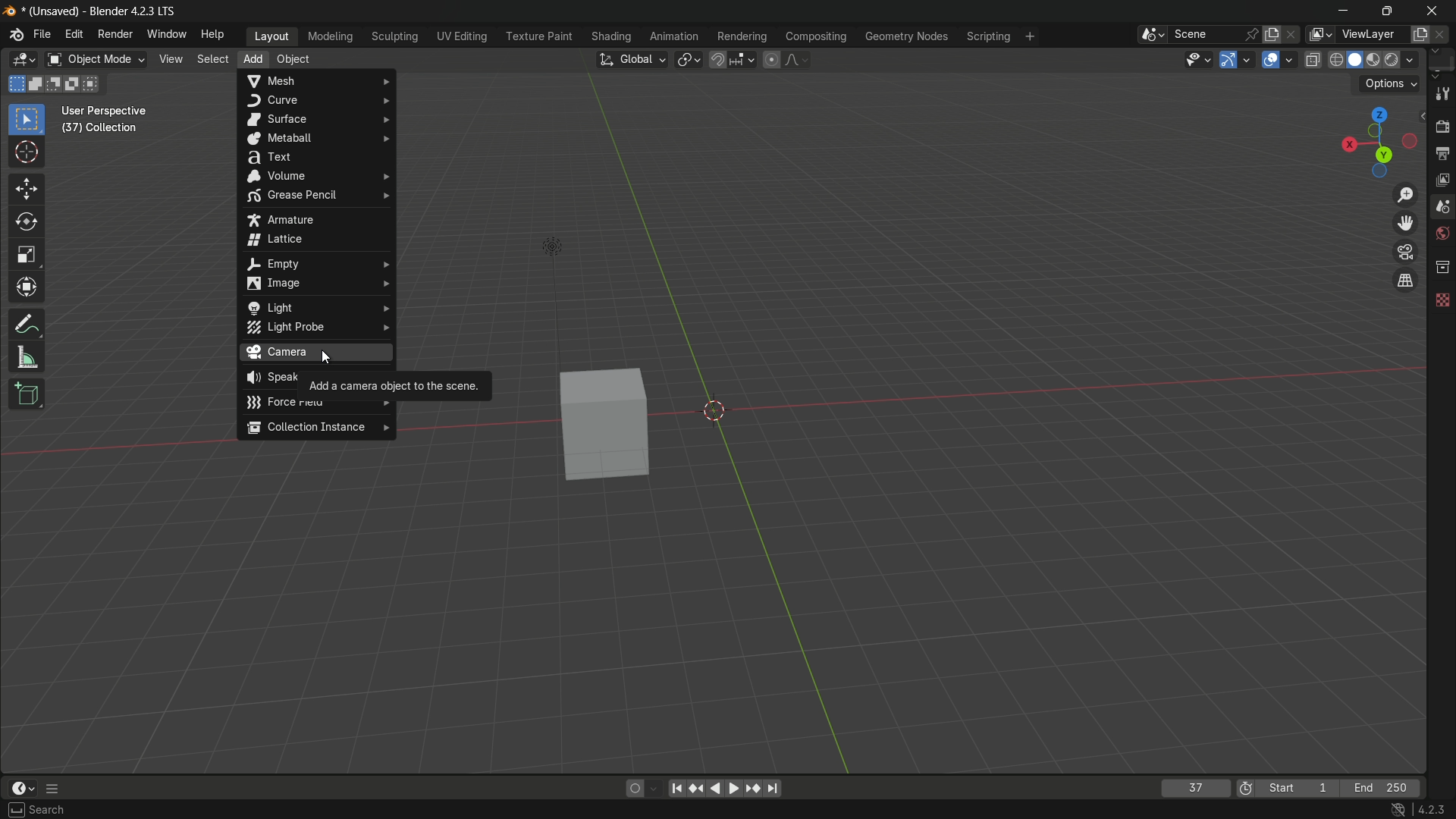 This screenshot has width=1456, height=819. Describe the element at coordinates (27, 255) in the screenshot. I see `scale` at that location.